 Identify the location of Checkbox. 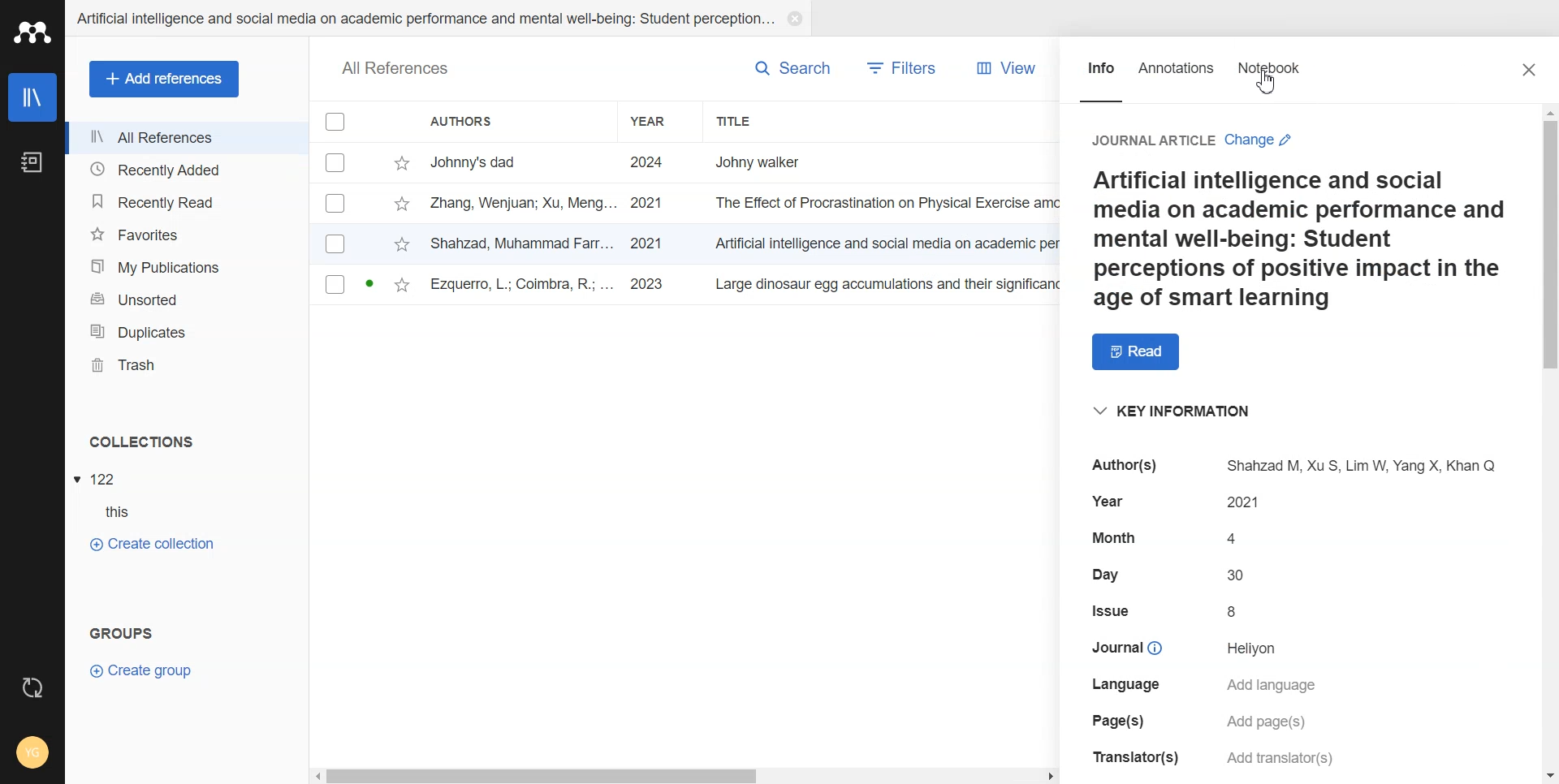
(336, 243).